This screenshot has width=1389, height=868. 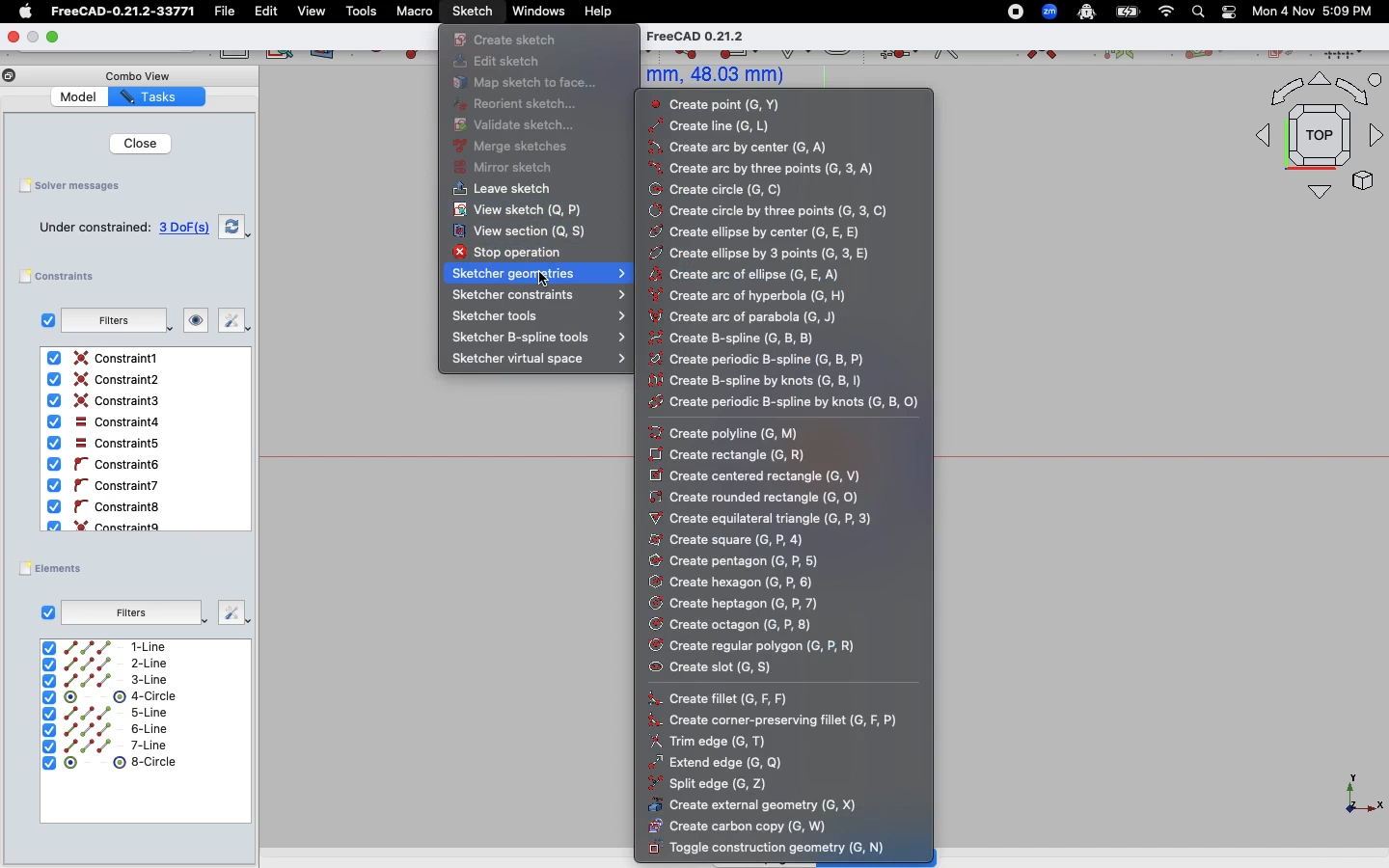 What do you see at coordinates (734, 539) in the screenshot?
I see `Create square (G, P, 4)` at bounding box center [734, 539].